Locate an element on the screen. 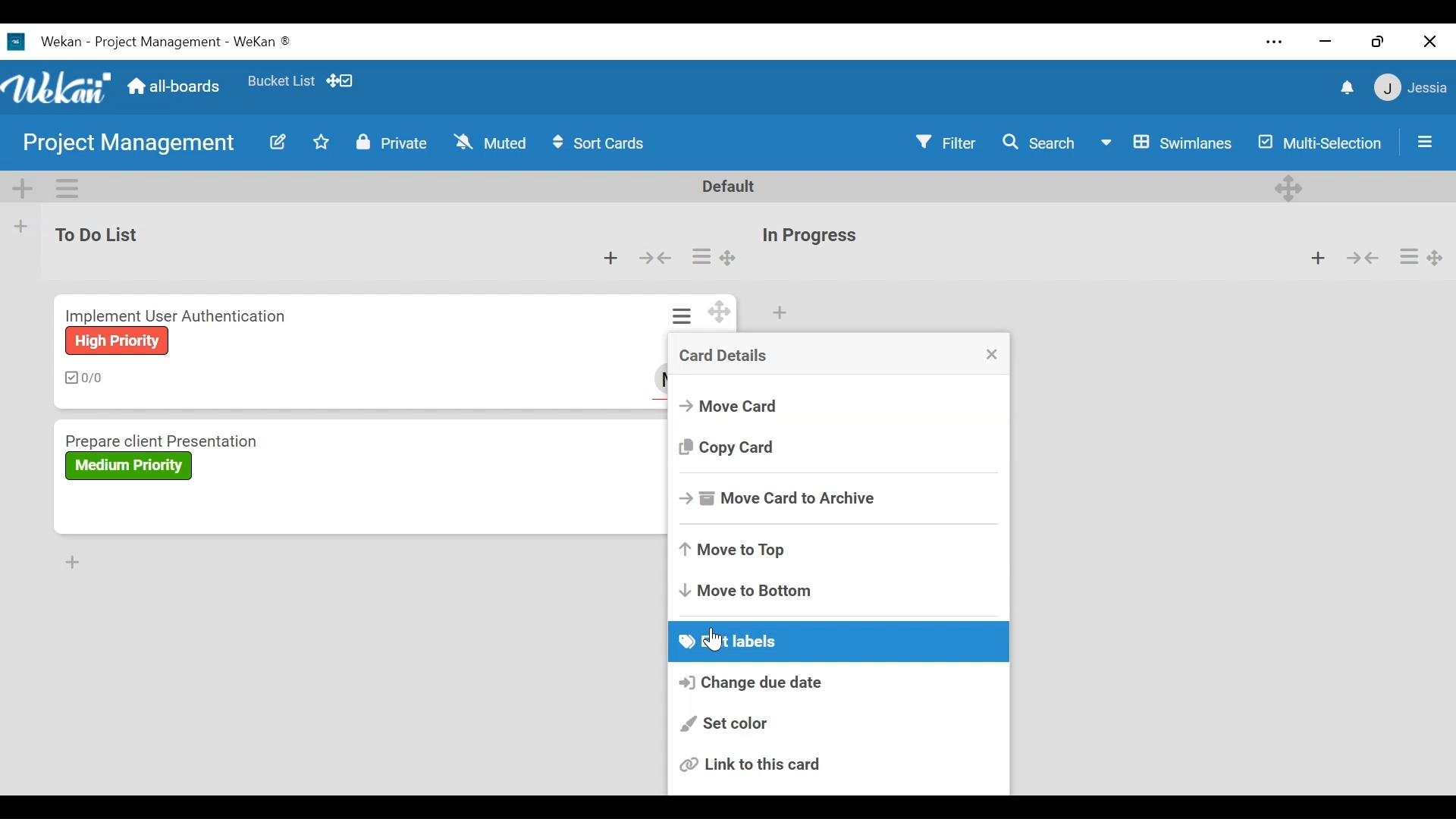  Edit is located at coordinates (278, 142).